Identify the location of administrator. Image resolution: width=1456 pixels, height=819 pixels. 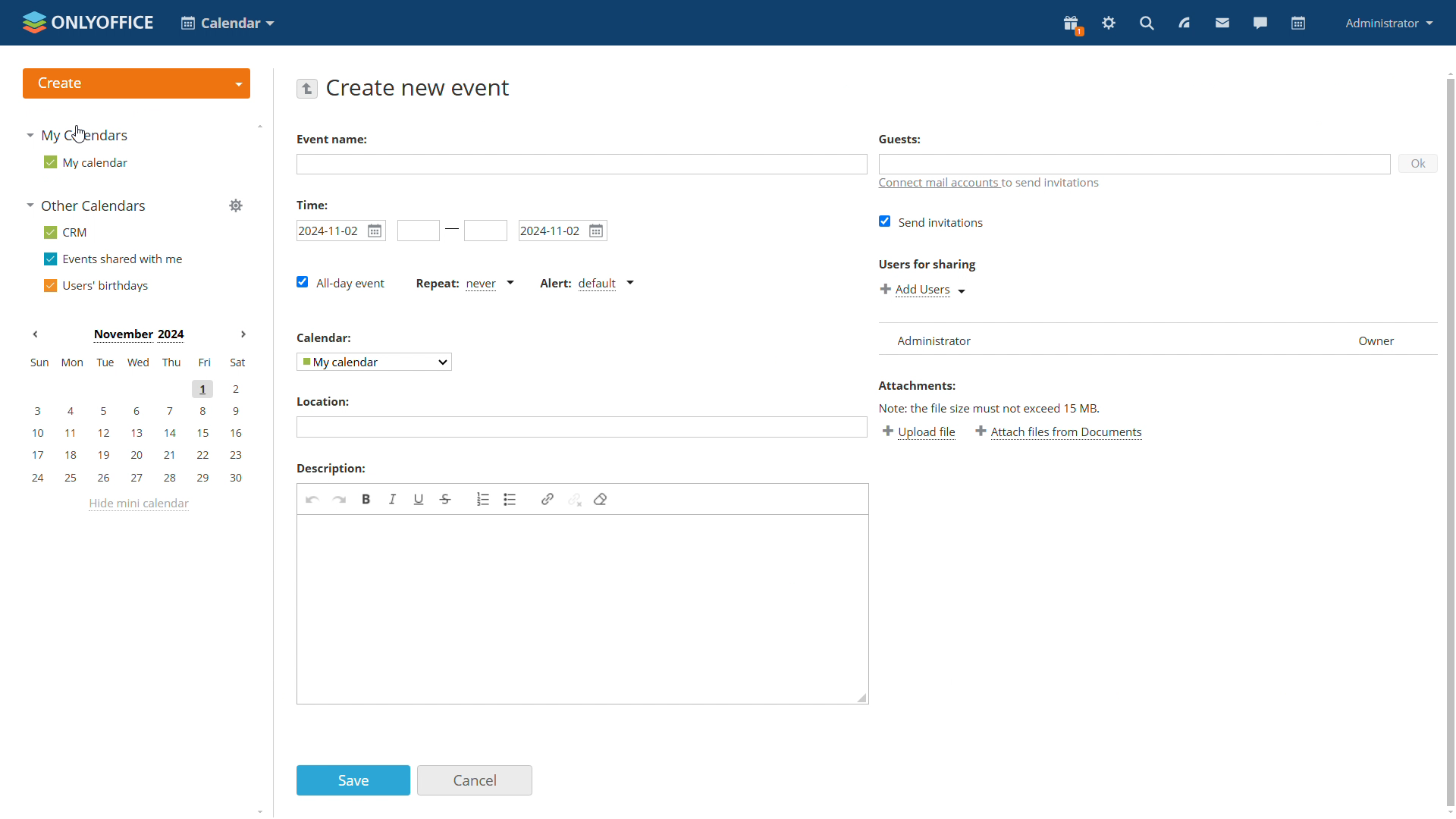
(1390, 22).